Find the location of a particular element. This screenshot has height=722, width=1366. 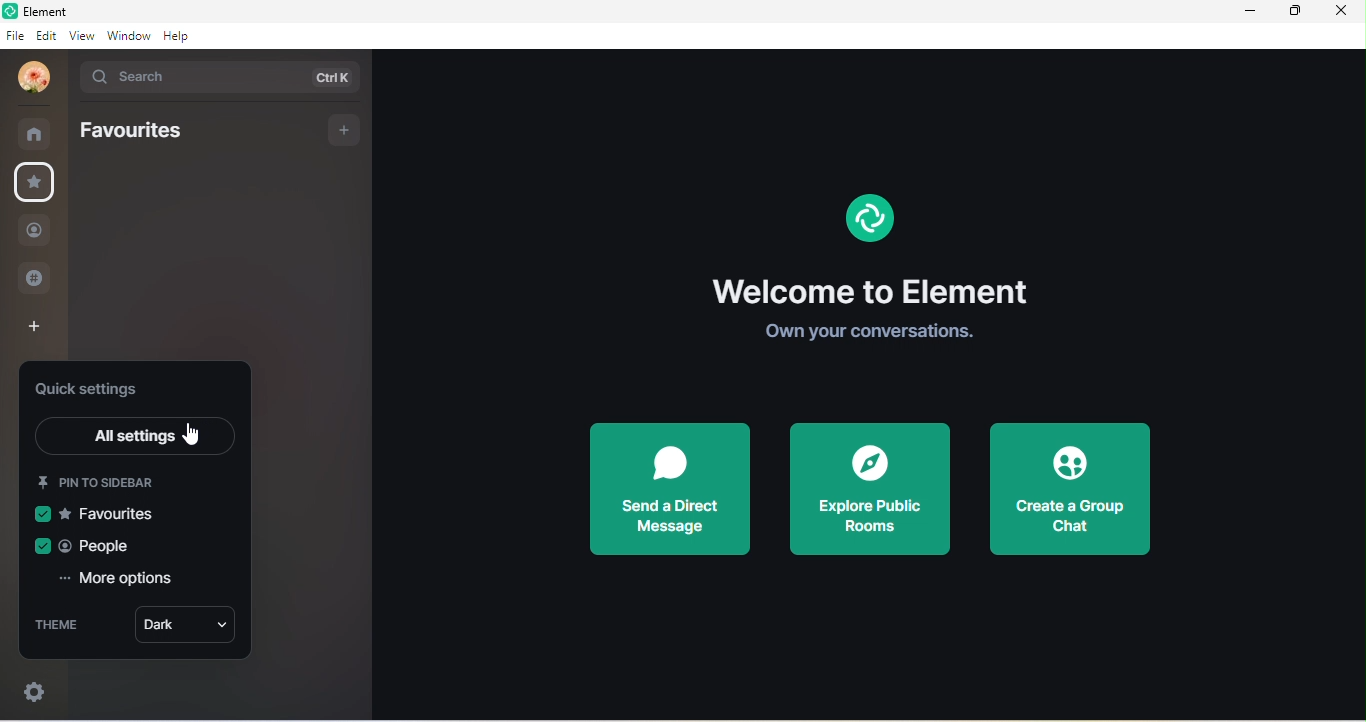

cursor movement is located at coordinates (192, 433).